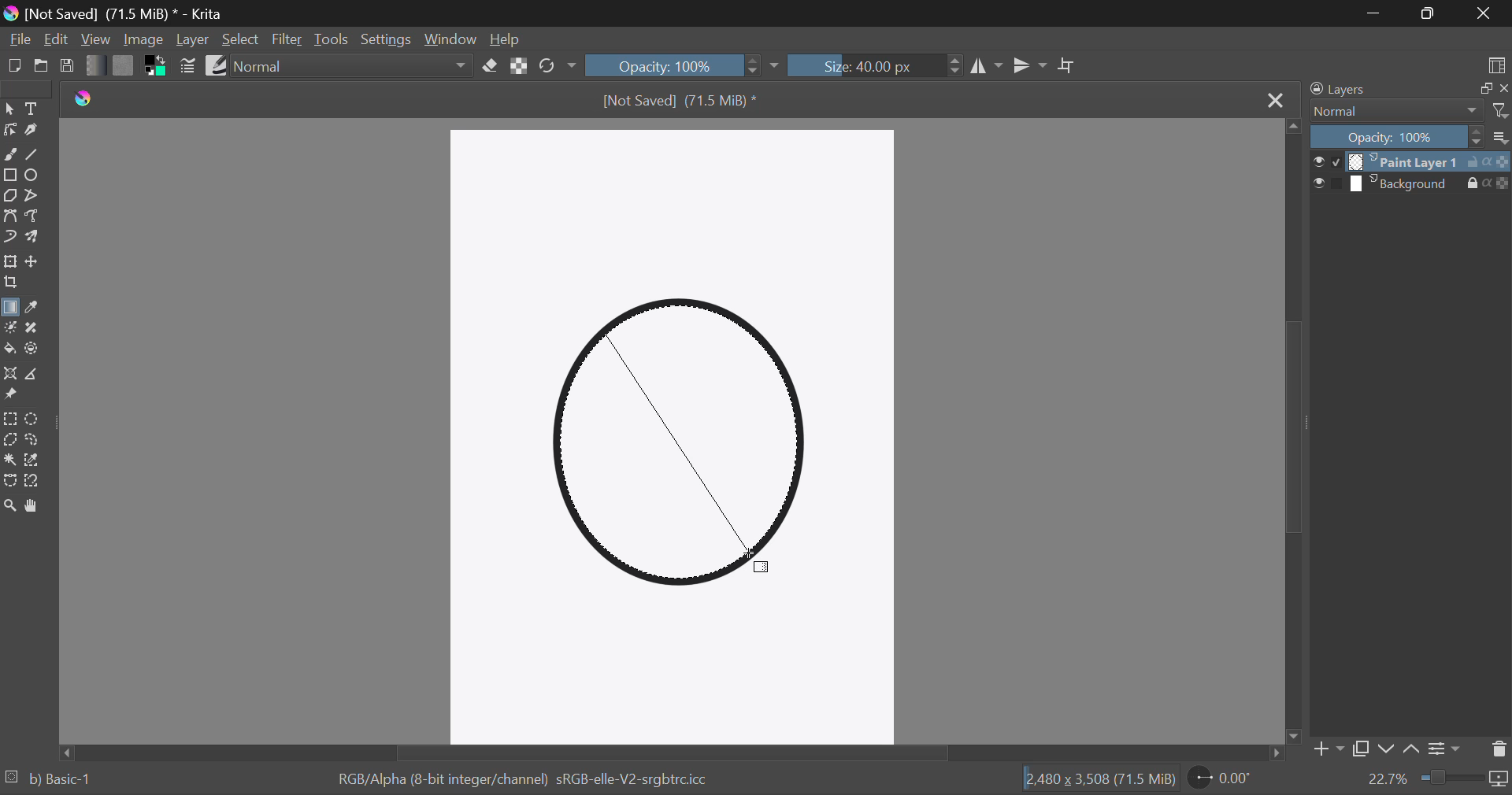 The width and height of the screenshot is (1512, 795). Describe the element at coordinates (1276, 102) in the screenshot. I see `Close` at that location.